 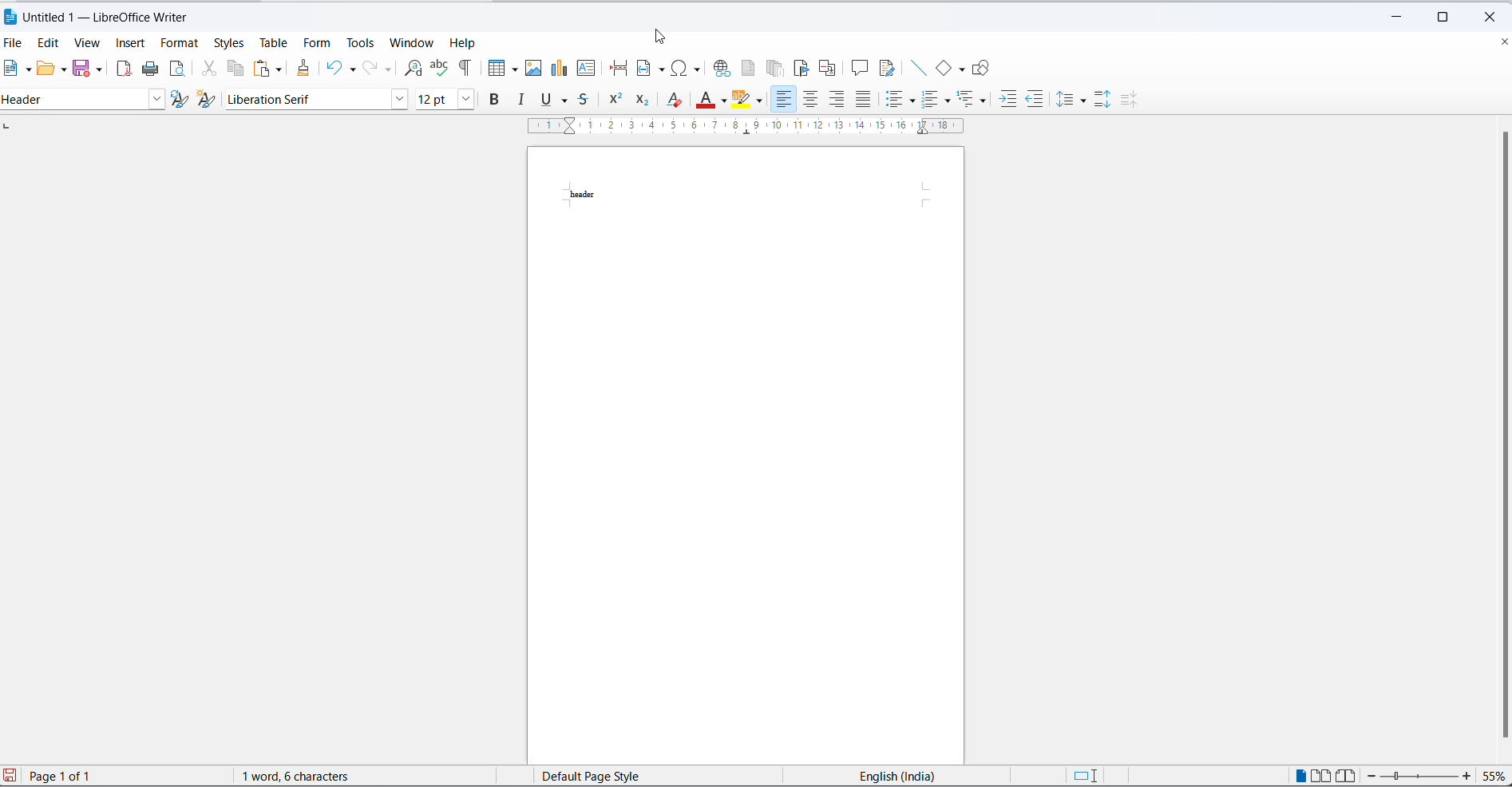 What do you see at coordinates (10, 69) in the screenshot?
I see `new file` at bounding box center [10, 69].